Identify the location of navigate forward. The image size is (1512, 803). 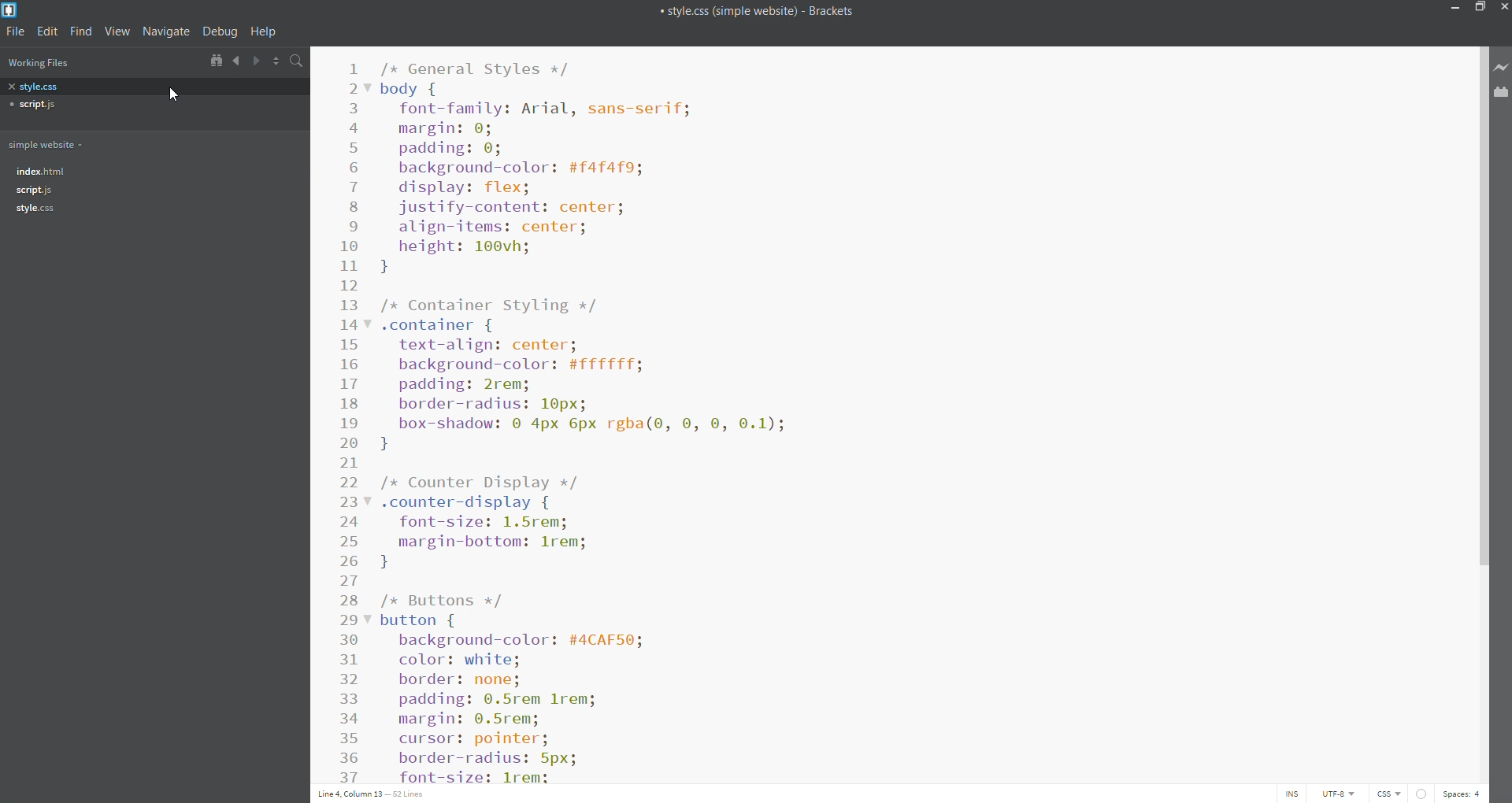
(258, 61).